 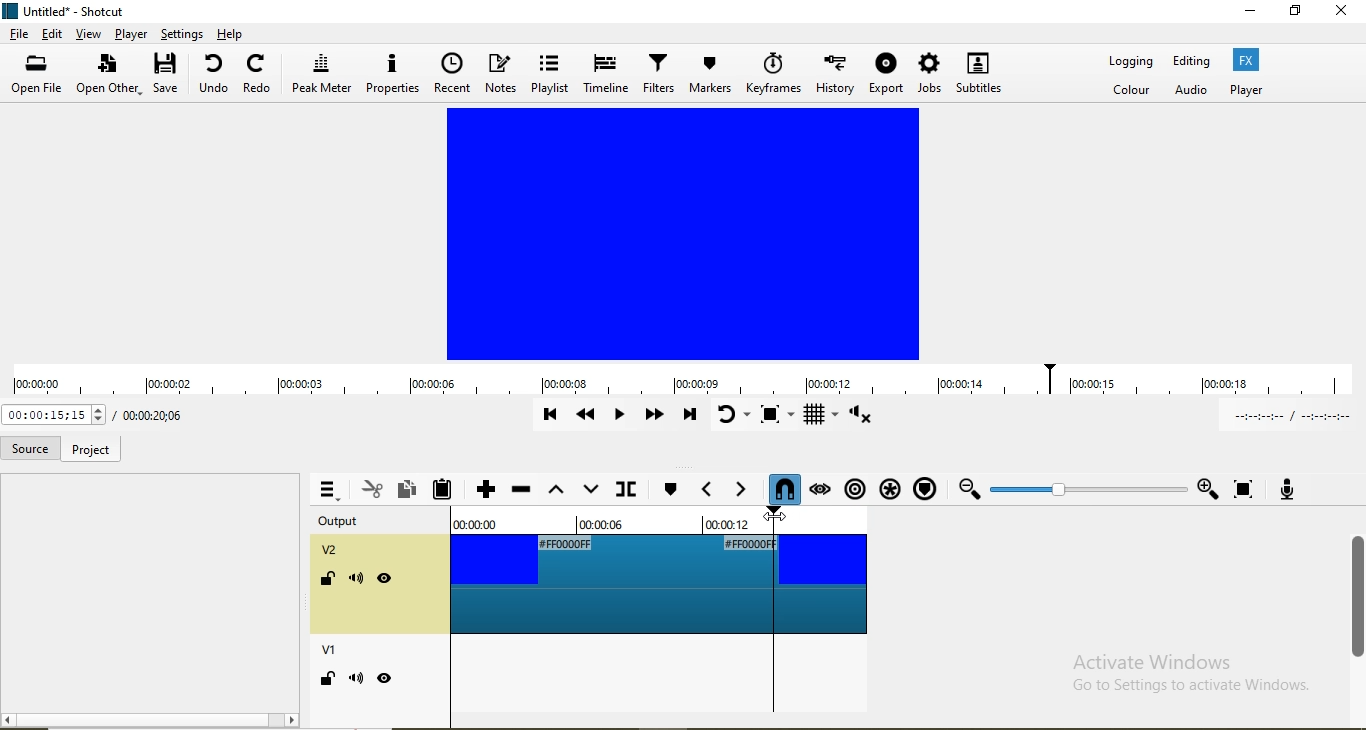 What do you see at coordinates (1357, 590) in the screenshot?
I see `scroll bar` at bounding box center [1357, 590].